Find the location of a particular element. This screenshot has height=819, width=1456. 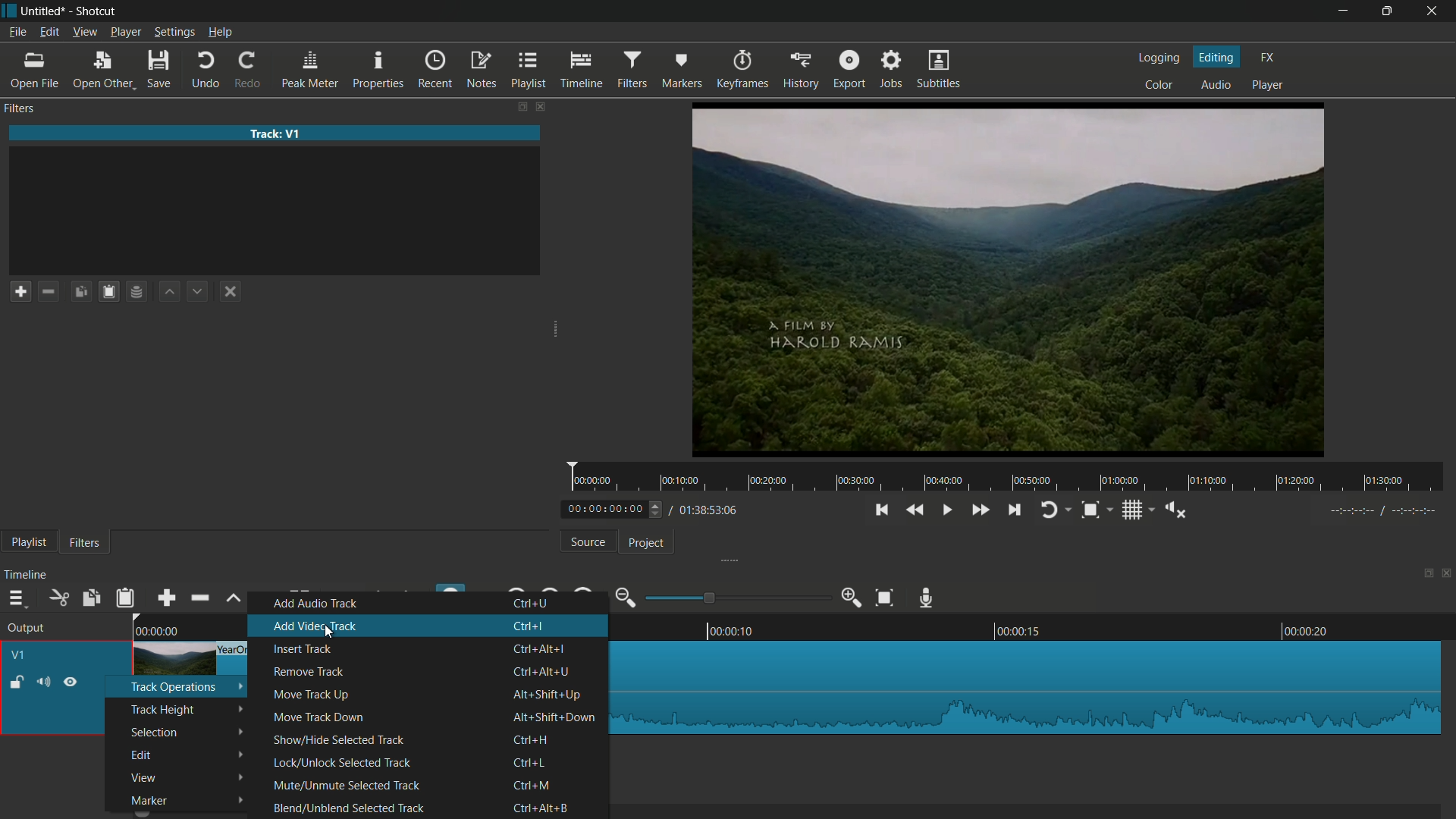

key shortcut is located at coordinates (538, 649).